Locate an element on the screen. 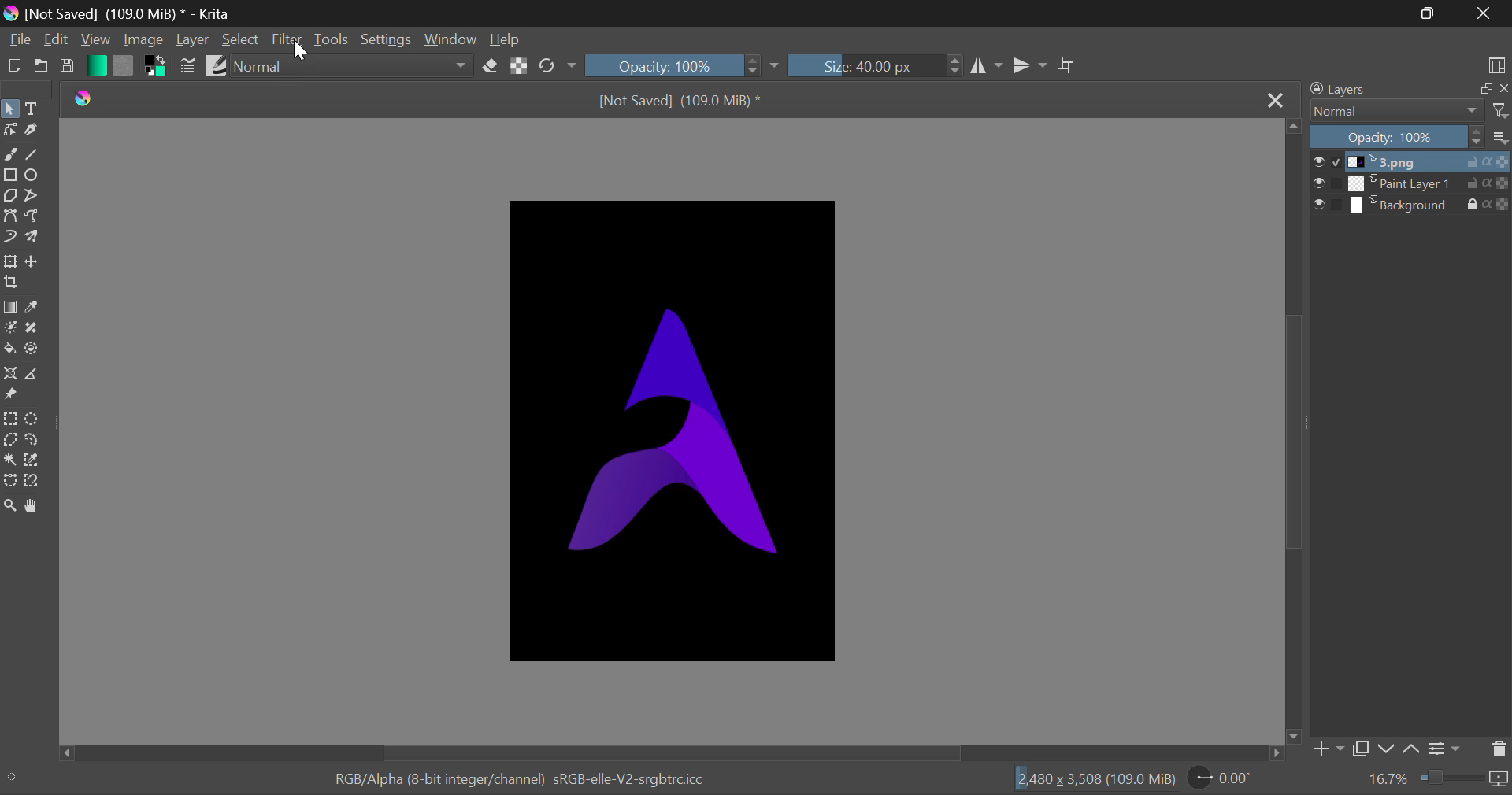 The height and width of the screenshot is (795, 1512). Fill is located at coordinates (9, 348).